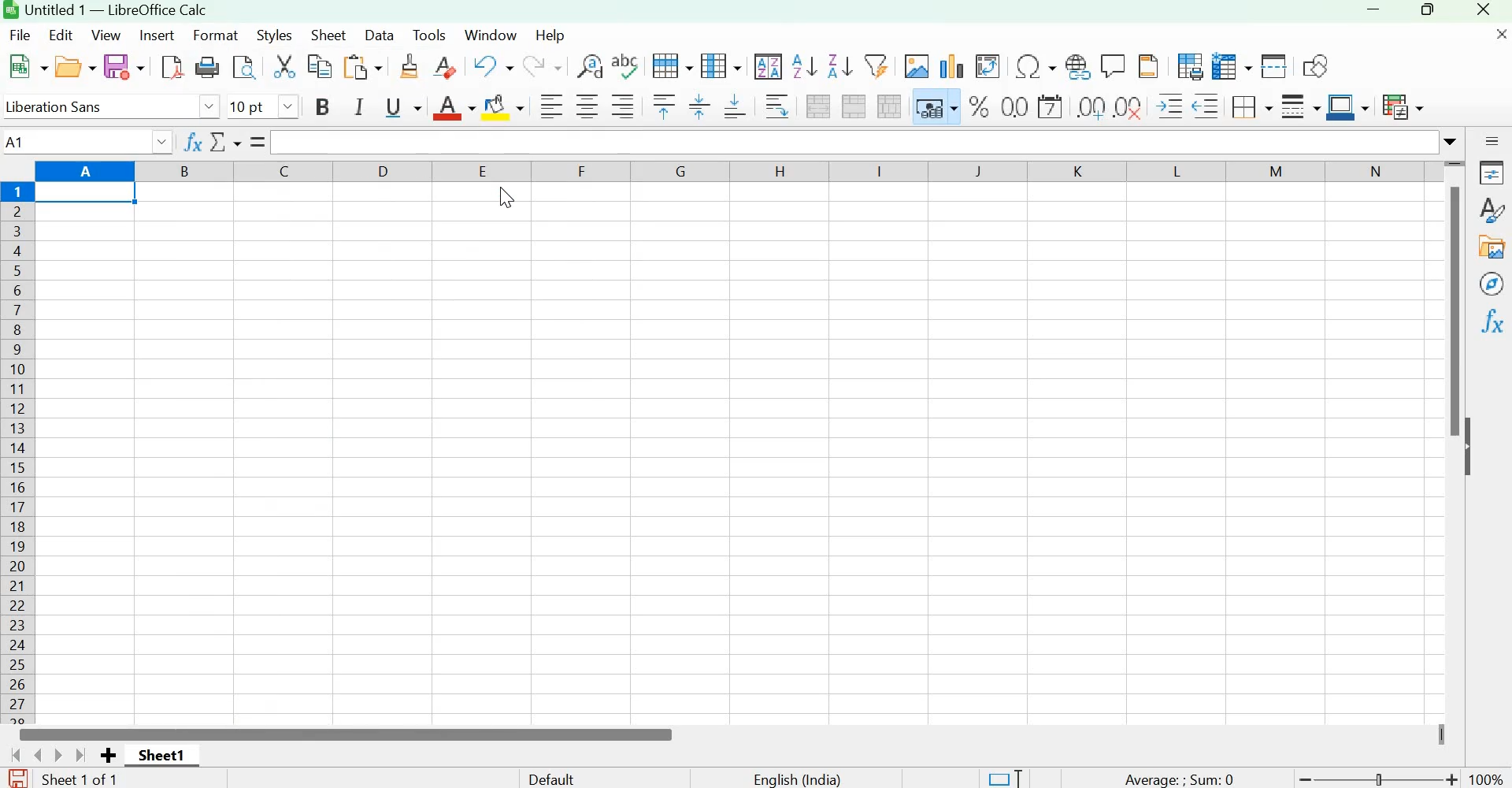 The height and width of the screenshot is (788, 1512). What do you see at coordinates (1299, 106) in the screenshot?
I see `Border style` at bounding box center [1299, 106].